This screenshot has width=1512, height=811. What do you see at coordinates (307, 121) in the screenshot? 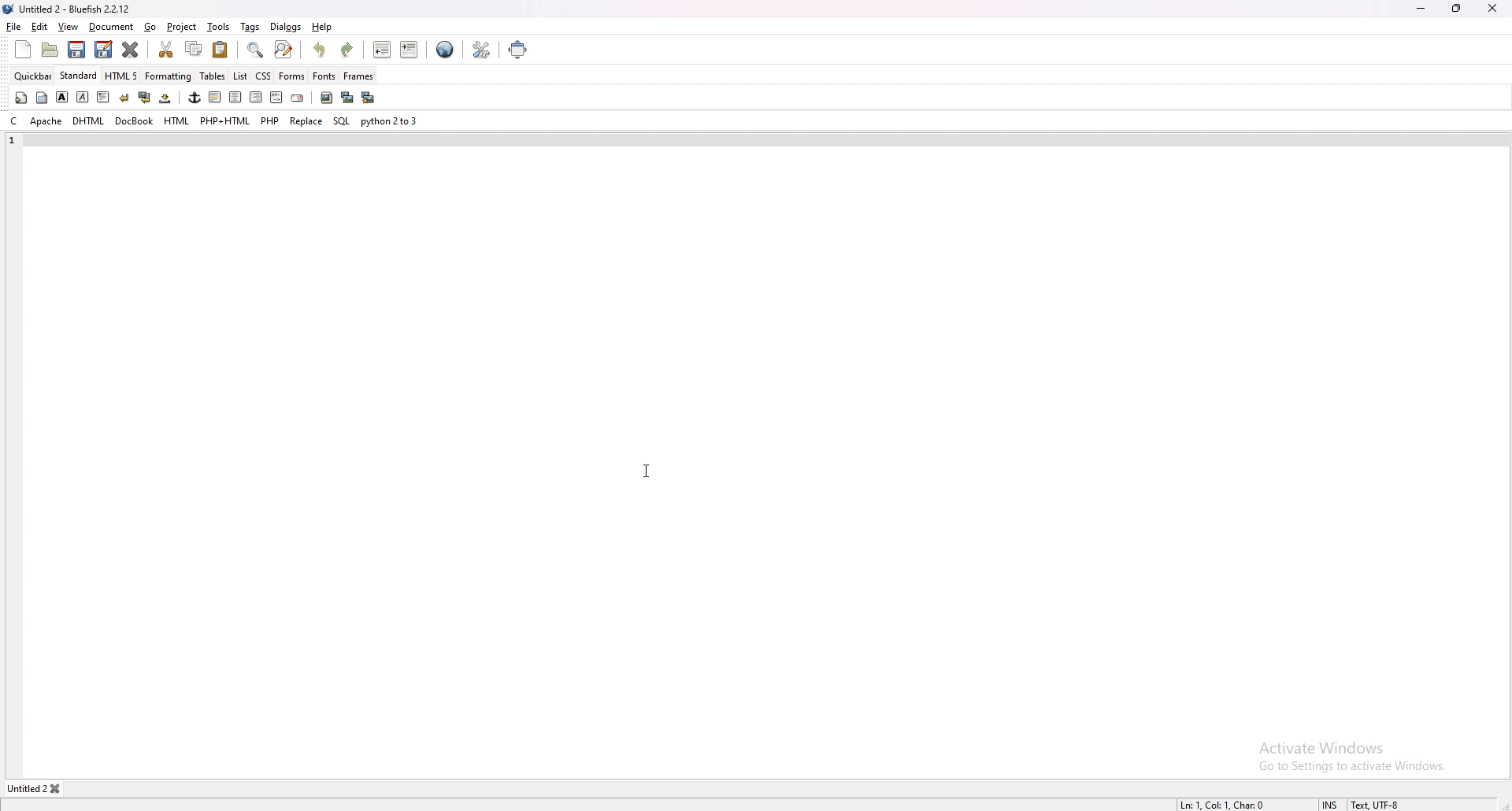
I see `replace` at bounding box center [307, 121].